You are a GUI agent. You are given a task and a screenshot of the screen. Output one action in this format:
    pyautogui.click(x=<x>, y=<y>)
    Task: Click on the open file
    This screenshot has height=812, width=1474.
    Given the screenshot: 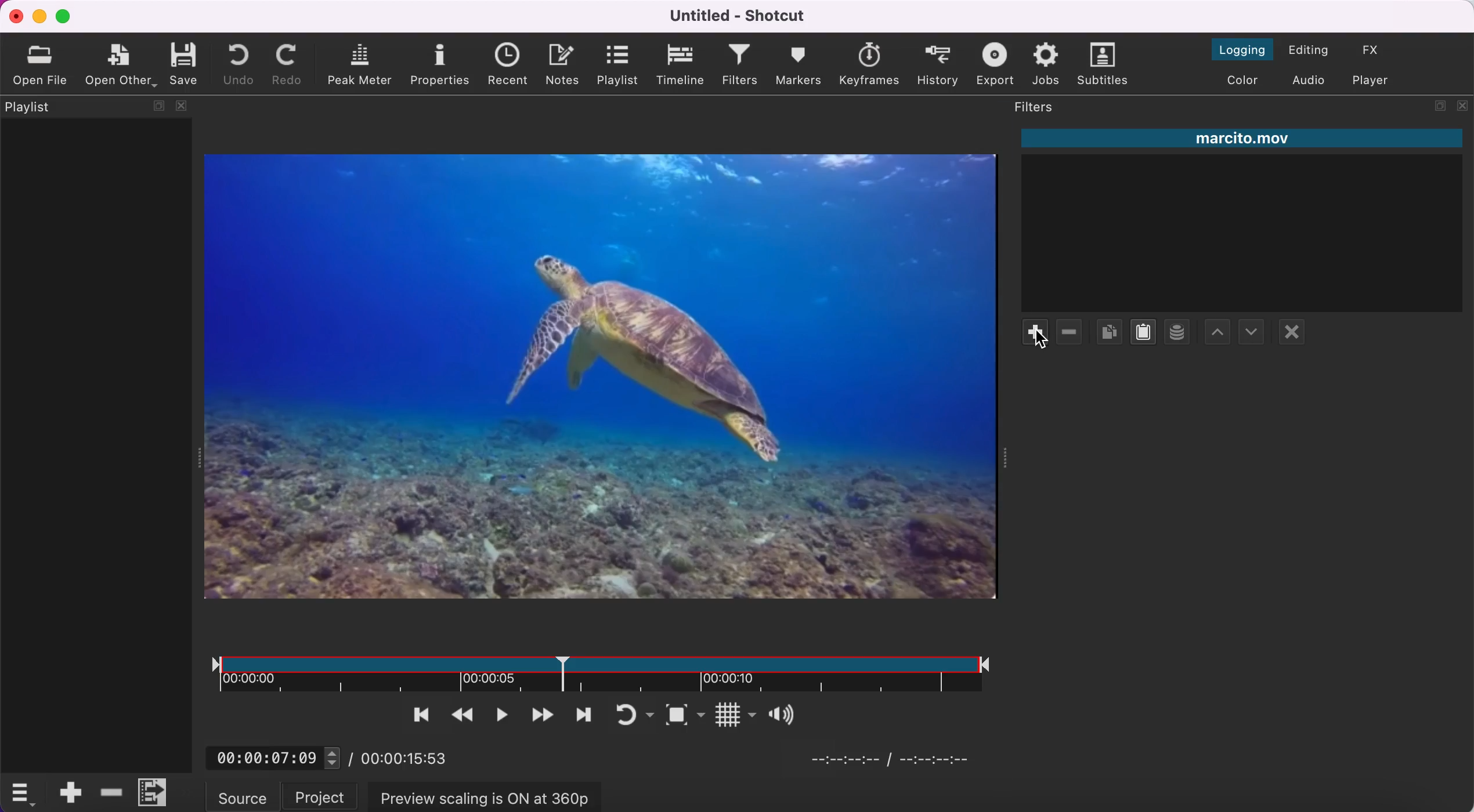 What is the action you would take?
    pyautogui.click(x=38, y=64)
    